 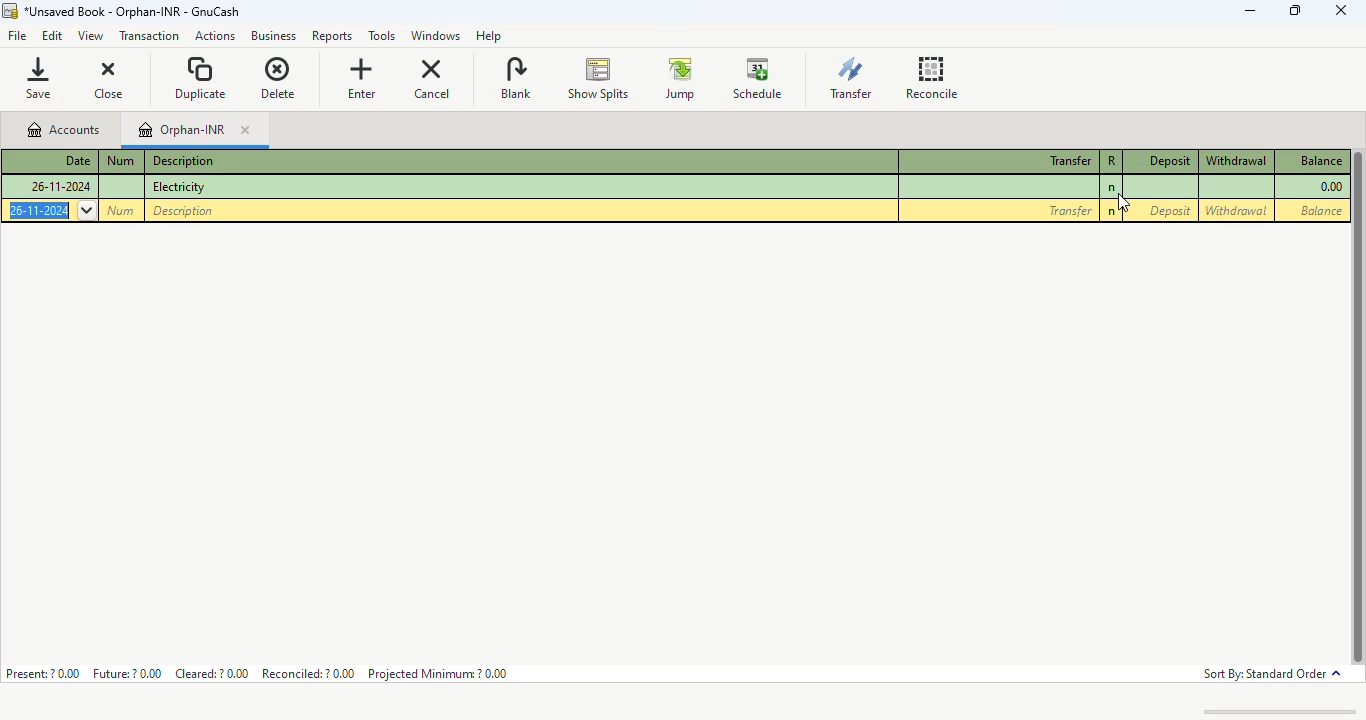 I want to click on title, so click(x=131, y=12).